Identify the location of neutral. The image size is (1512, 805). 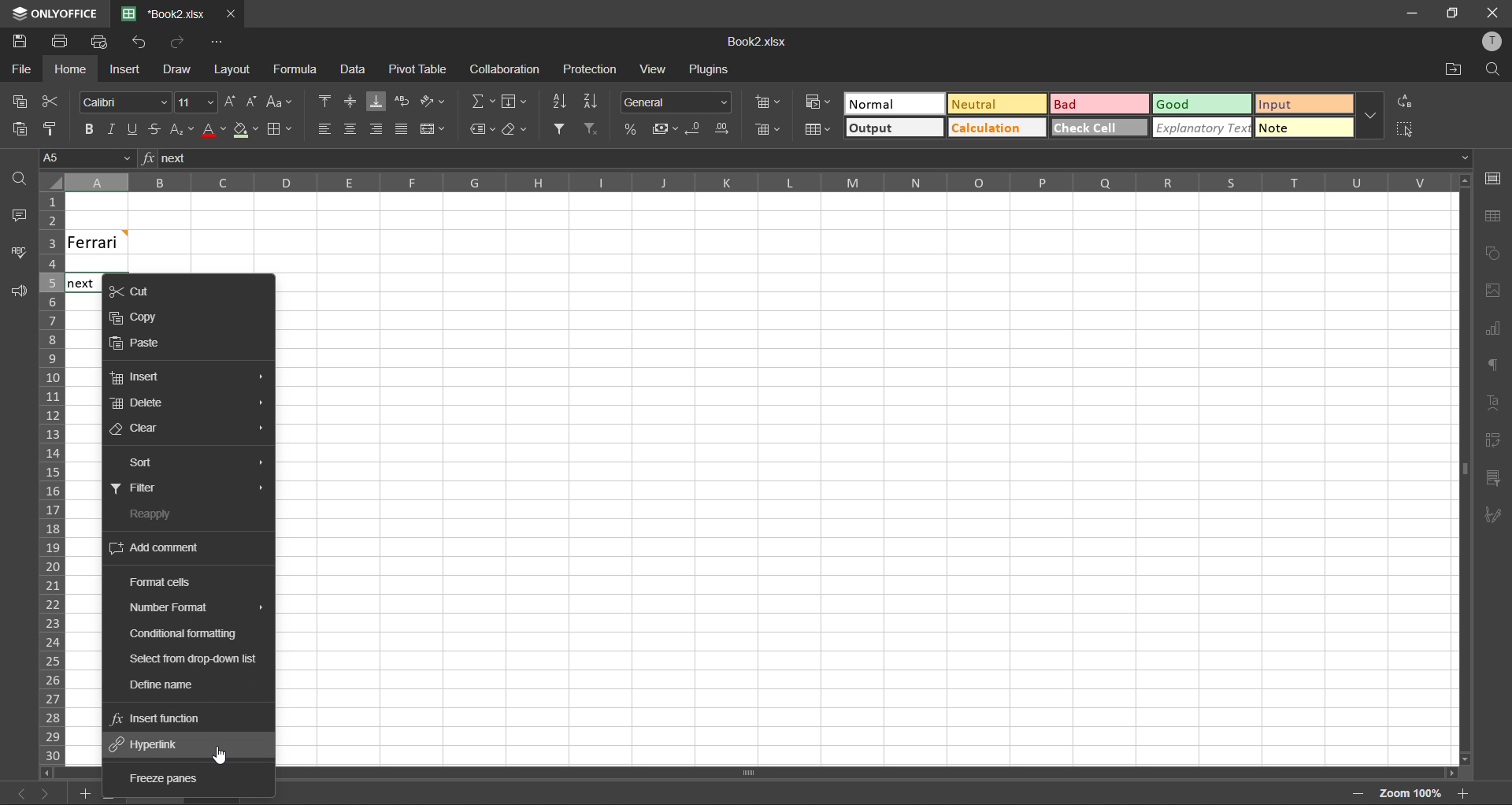
(994, 104).